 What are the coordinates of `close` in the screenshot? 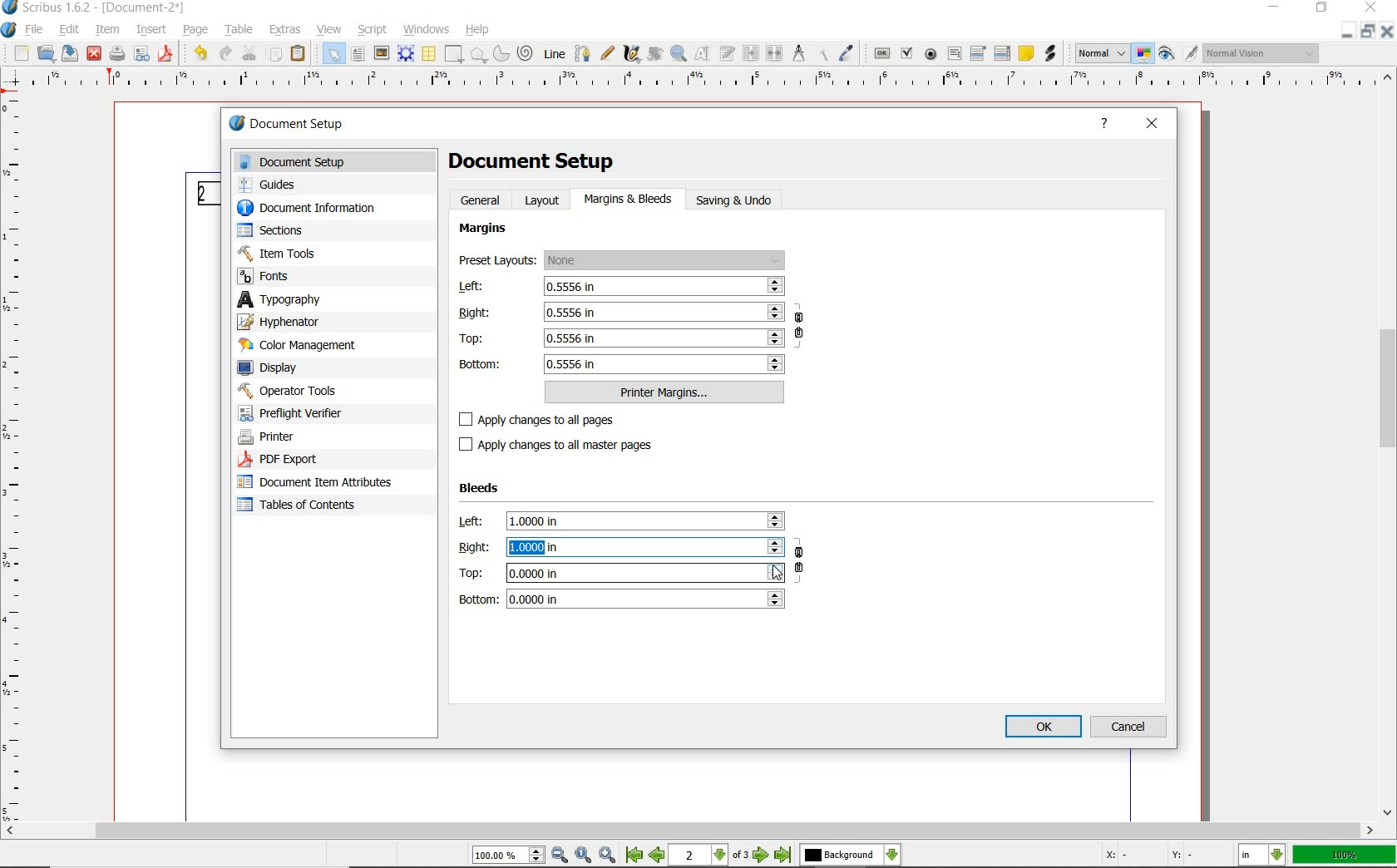 It's located at (1154, 121).